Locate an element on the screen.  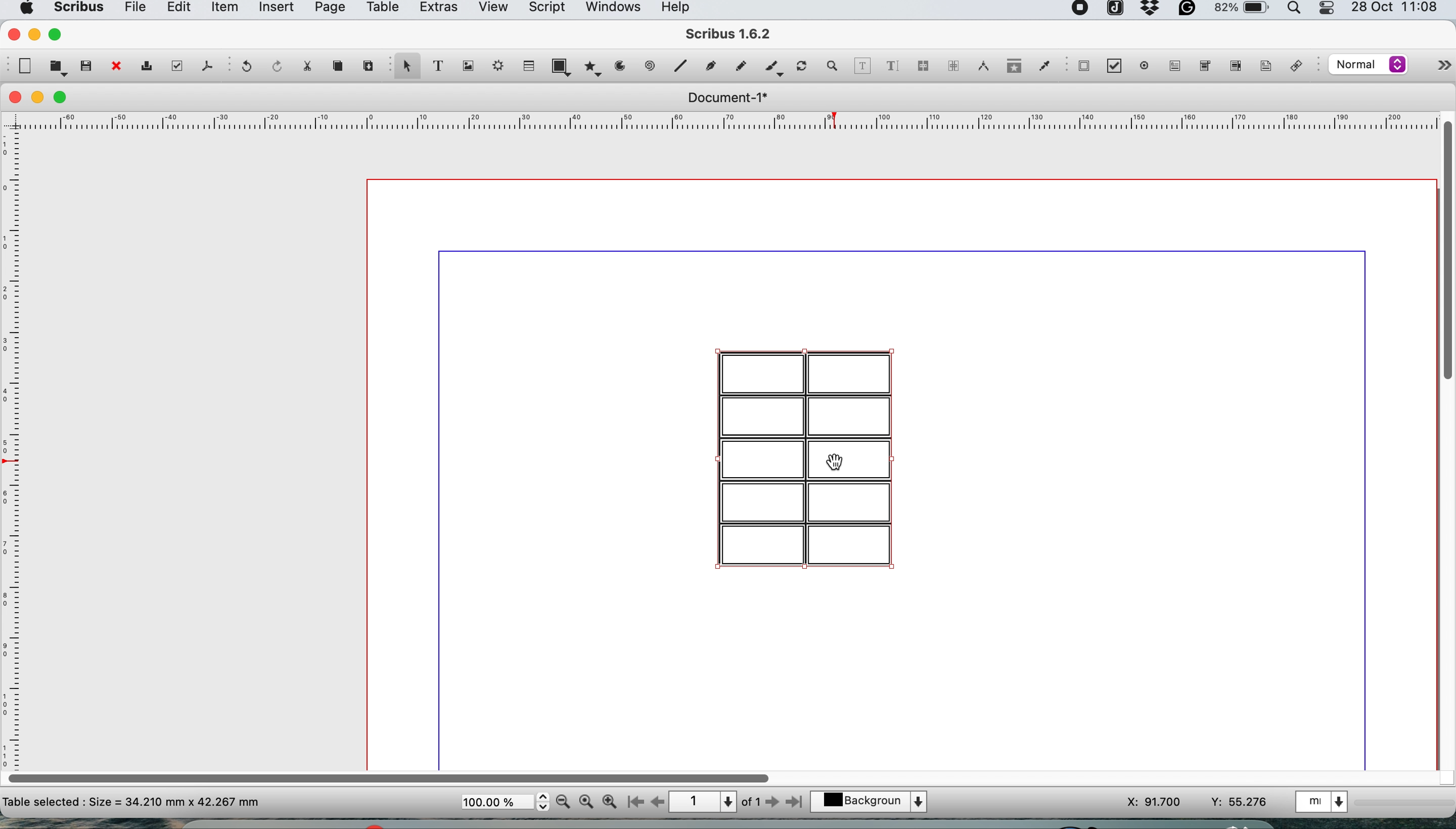
document 1 is located at coordinates (727, 98).